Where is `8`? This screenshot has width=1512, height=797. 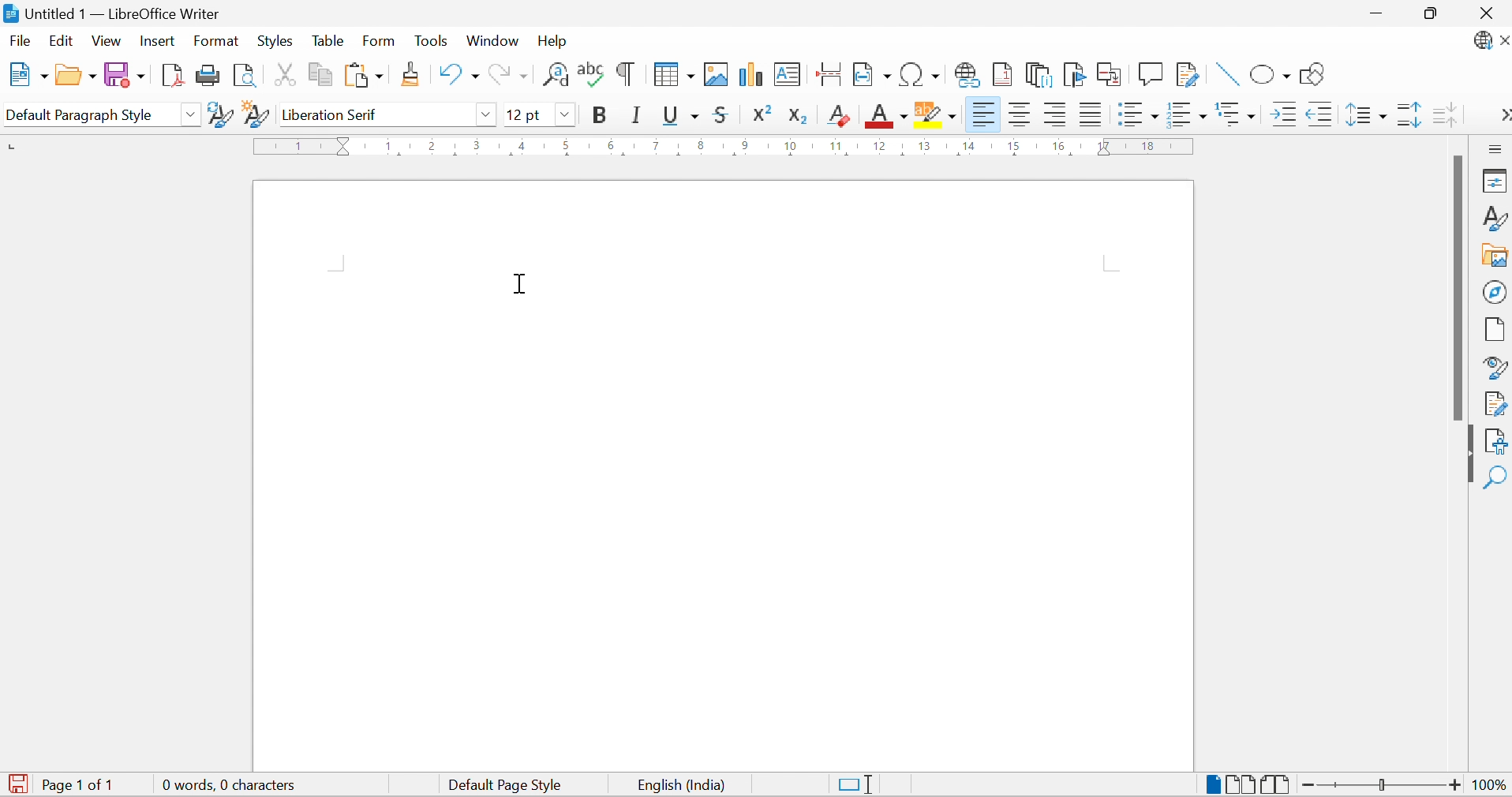 8 is located at coordinates (701, 147).